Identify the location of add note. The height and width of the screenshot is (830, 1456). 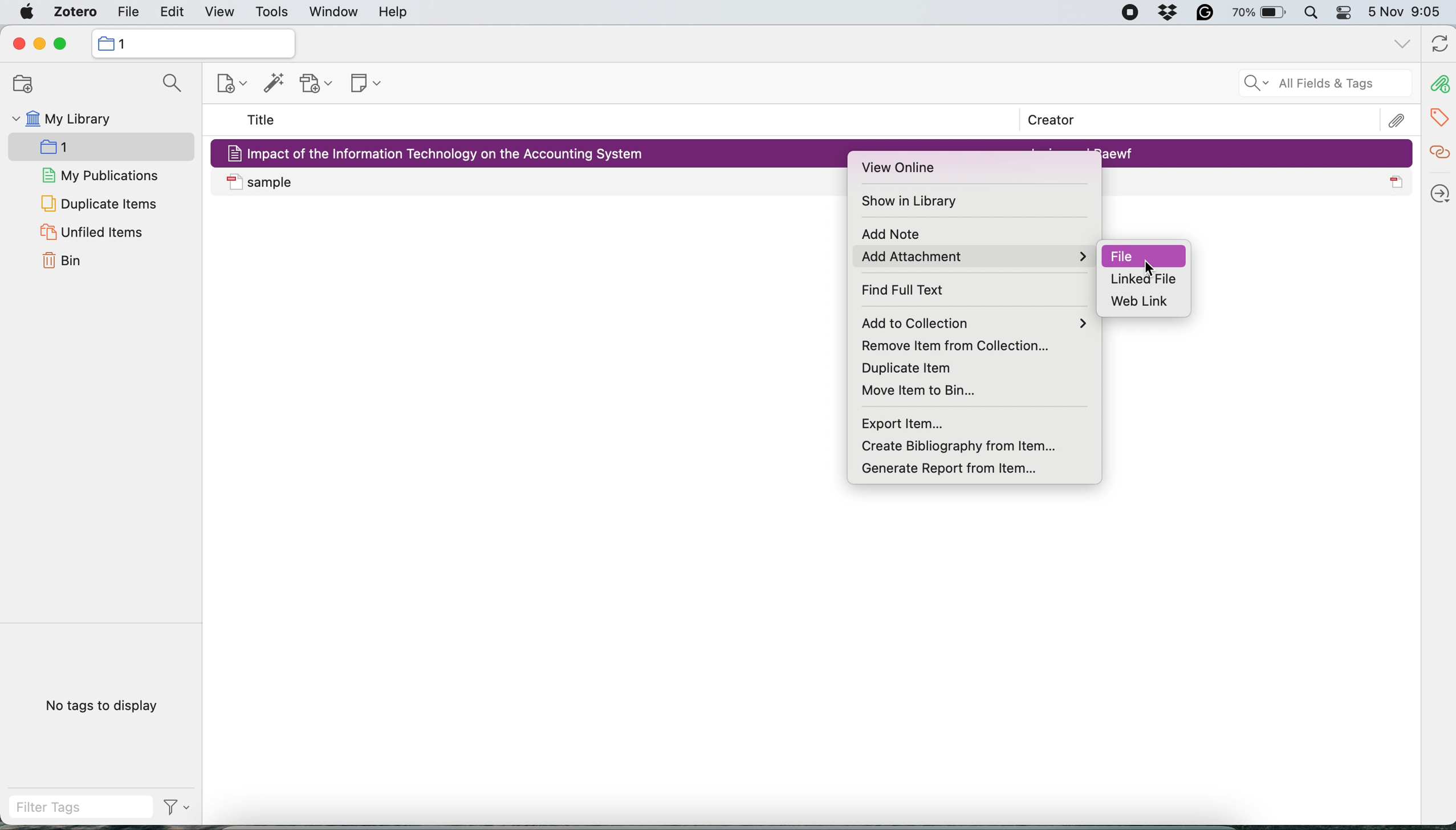
(888, 235).